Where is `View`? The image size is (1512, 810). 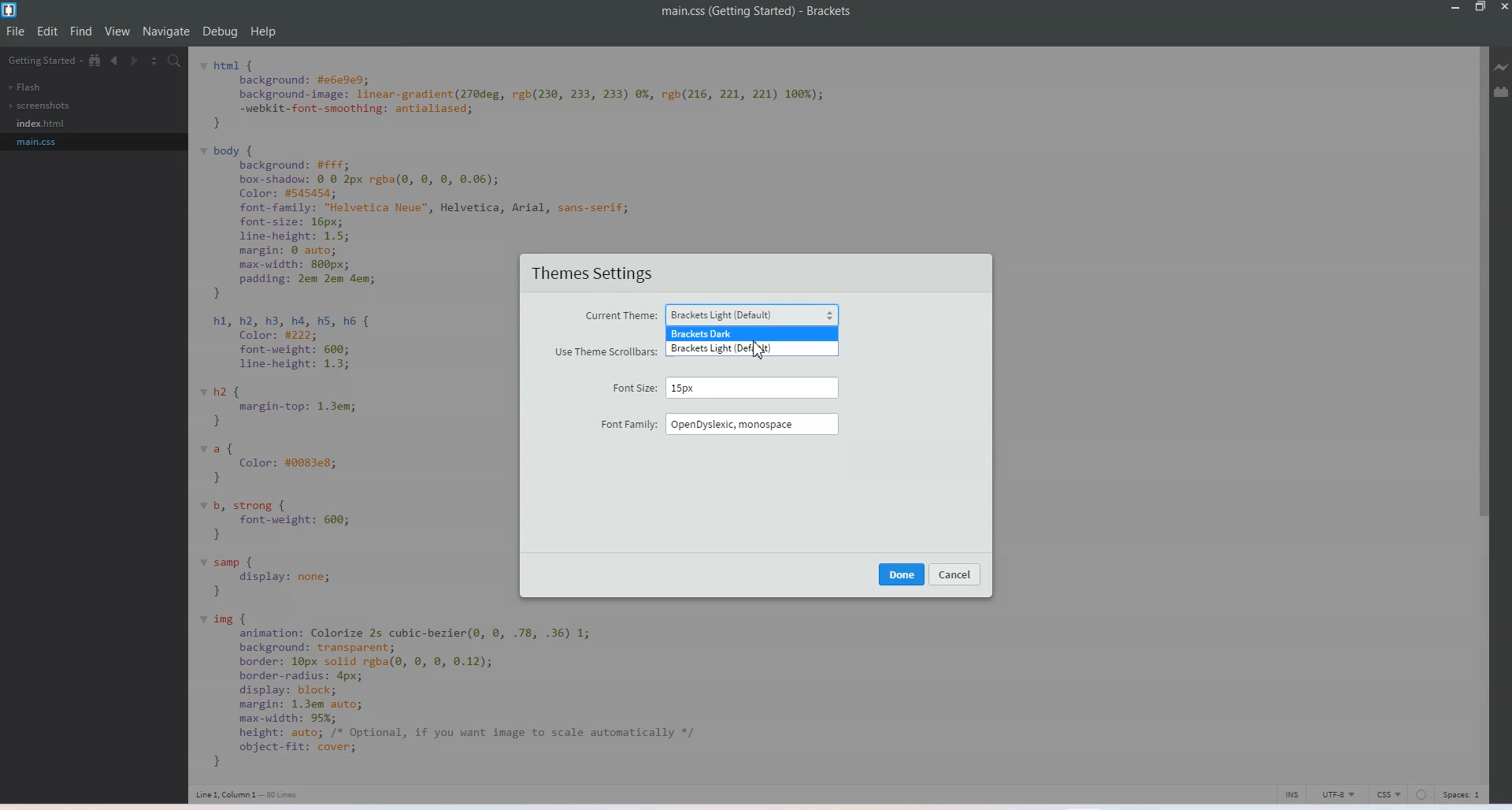
View is located at coordinates (117, 32).